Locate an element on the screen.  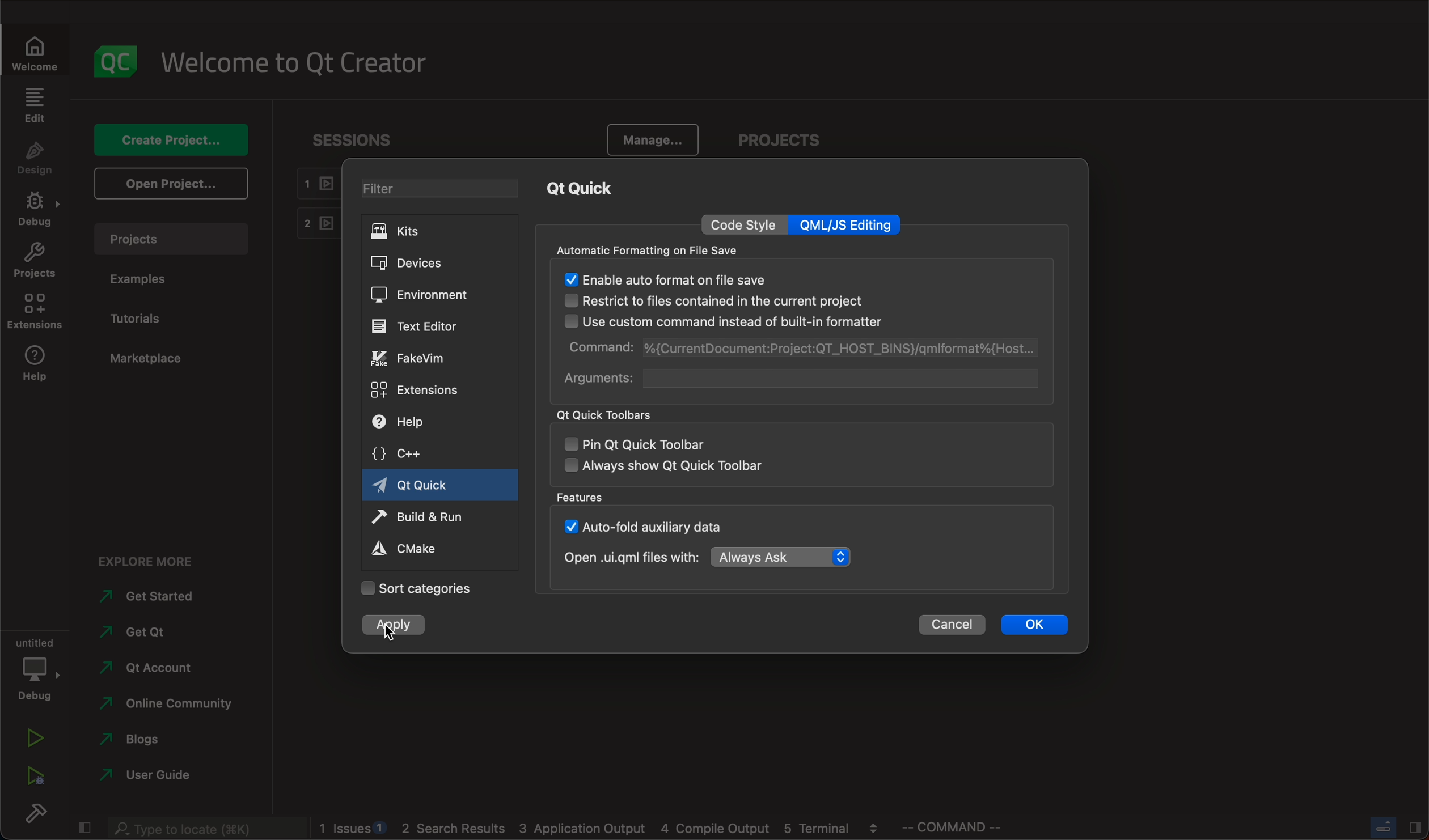
fakevim is located at coordinates (416, 360).